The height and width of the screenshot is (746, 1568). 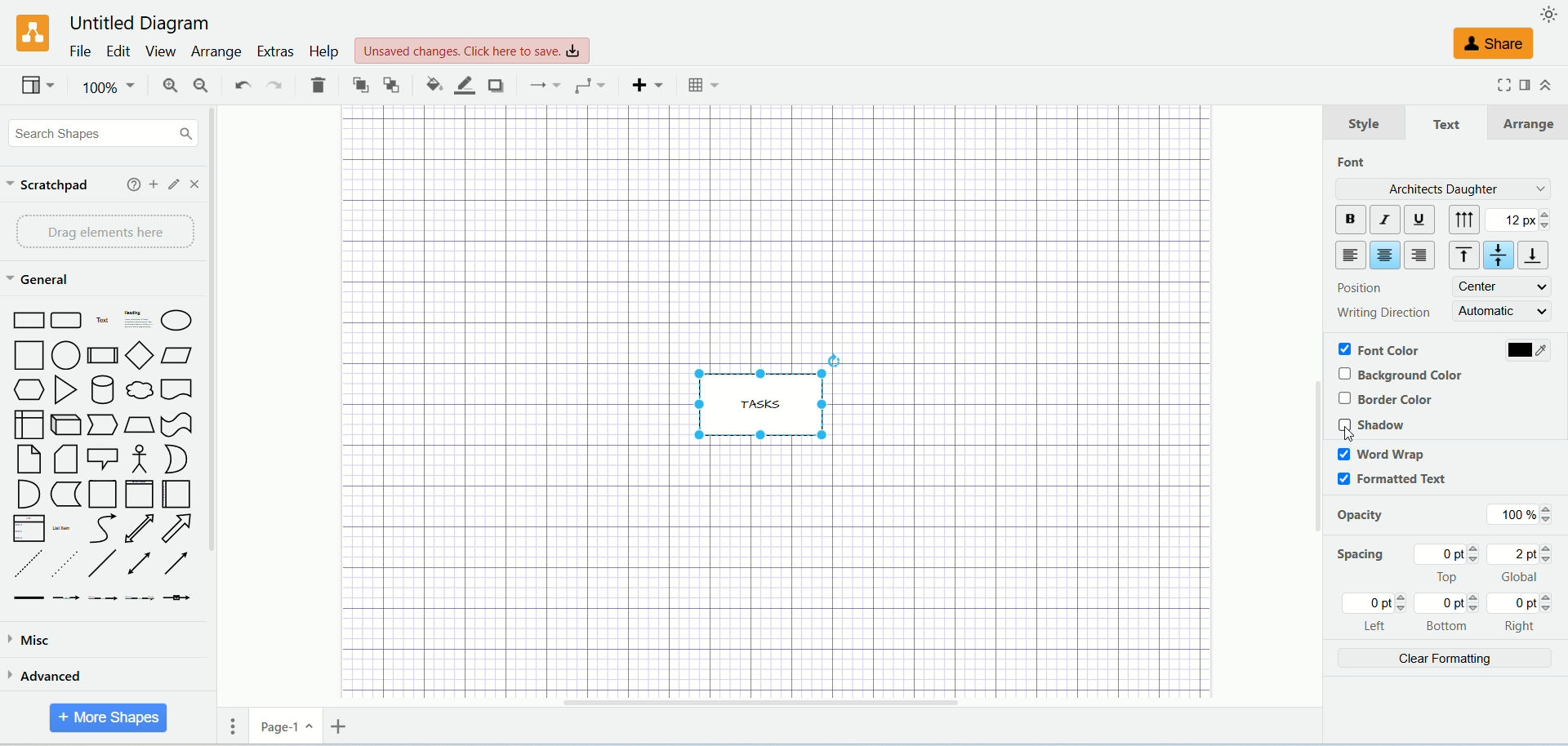 What do you see at coordinates (459, 84) in the screenshot?
I see `line color` at bounding box center [459, 84].